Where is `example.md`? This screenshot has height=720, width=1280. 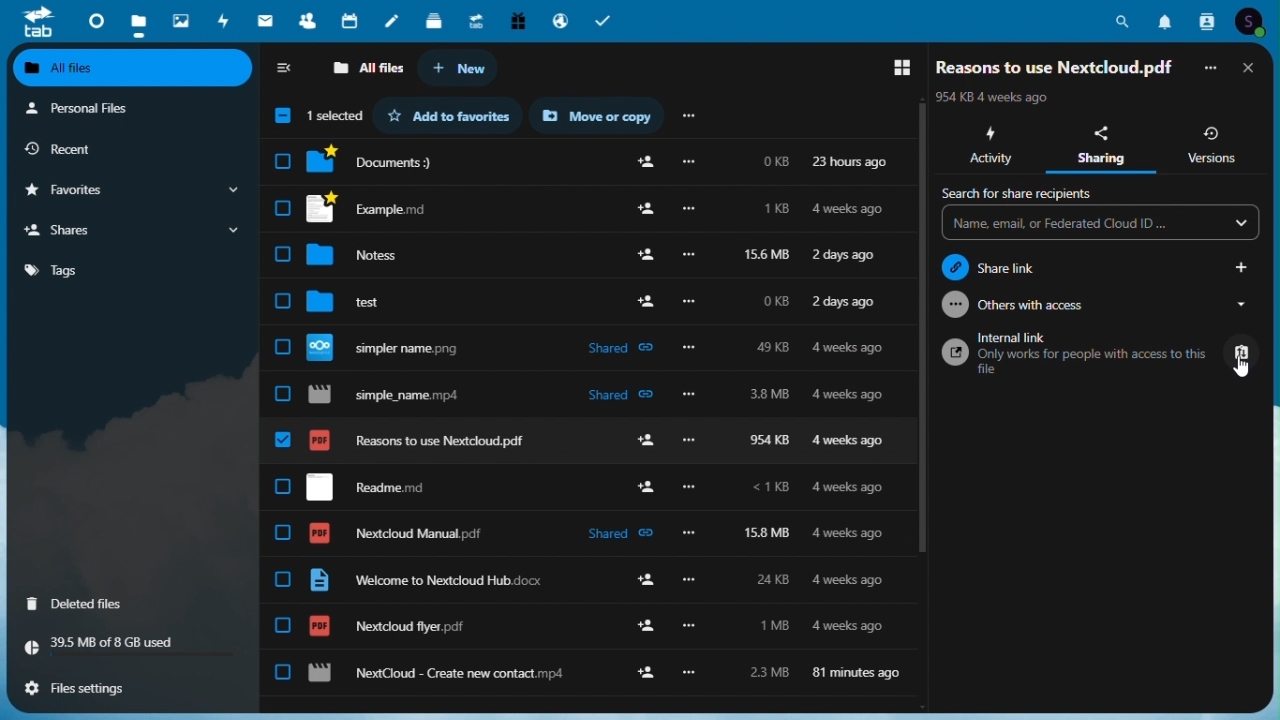
example.md is located at coordinates (382, 209).